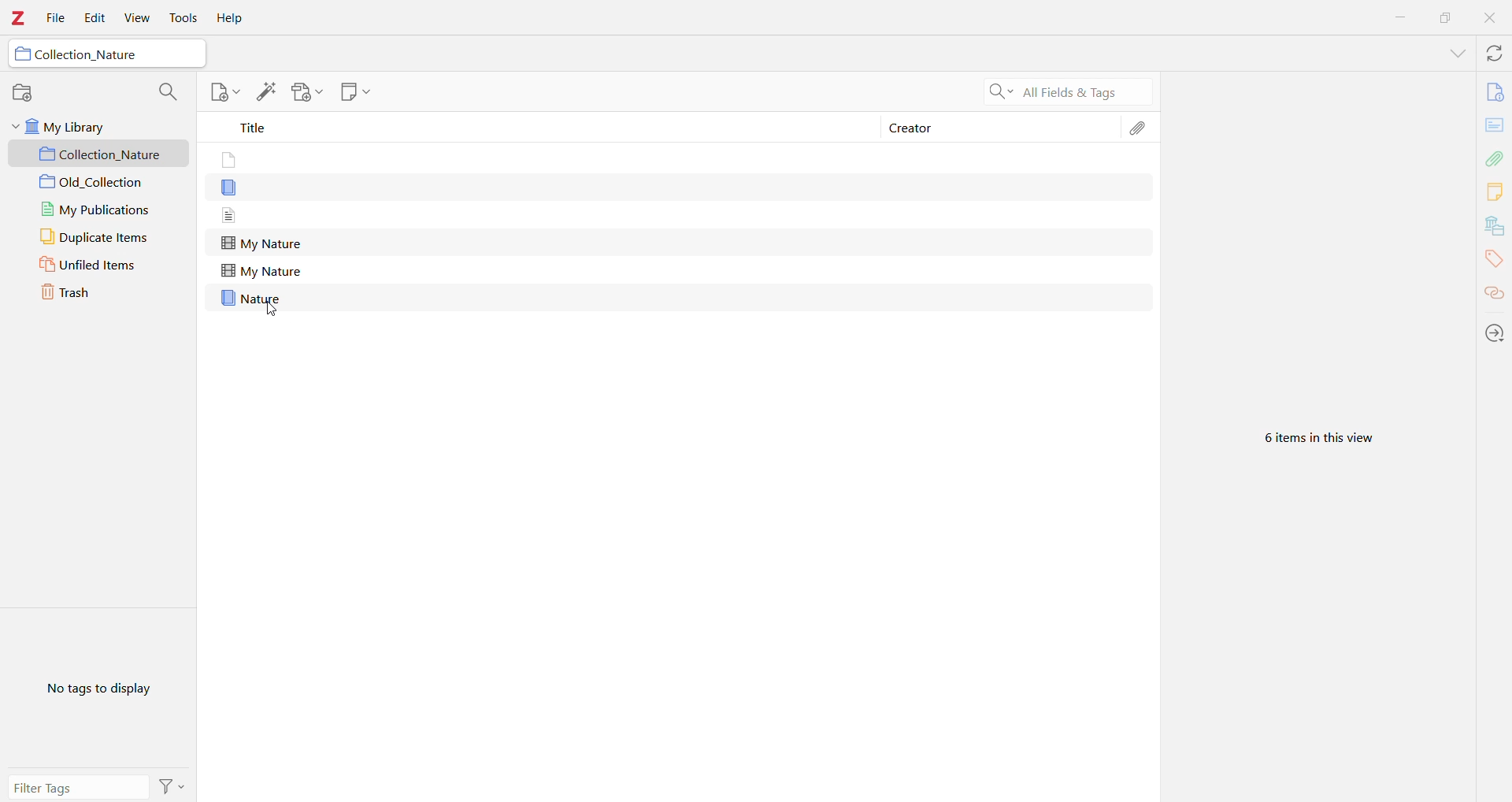 The image size is (1512, 802). What do you see at coordinates (1493, 20) in the screenshot?
I see `Close` at bounding box center [1493, 20].